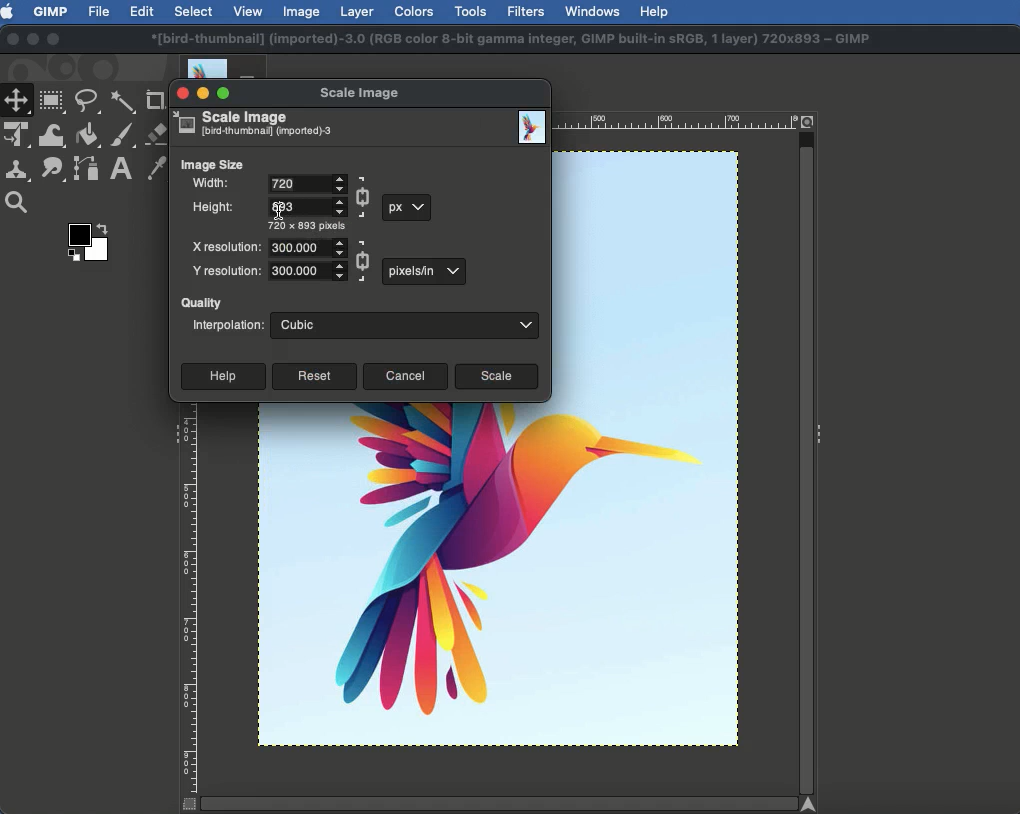 The image size is (1020, 814). What do you see at coordinates (309, 248) in the screenshot?
I see `Numeral` at bounding box center [309, 248].